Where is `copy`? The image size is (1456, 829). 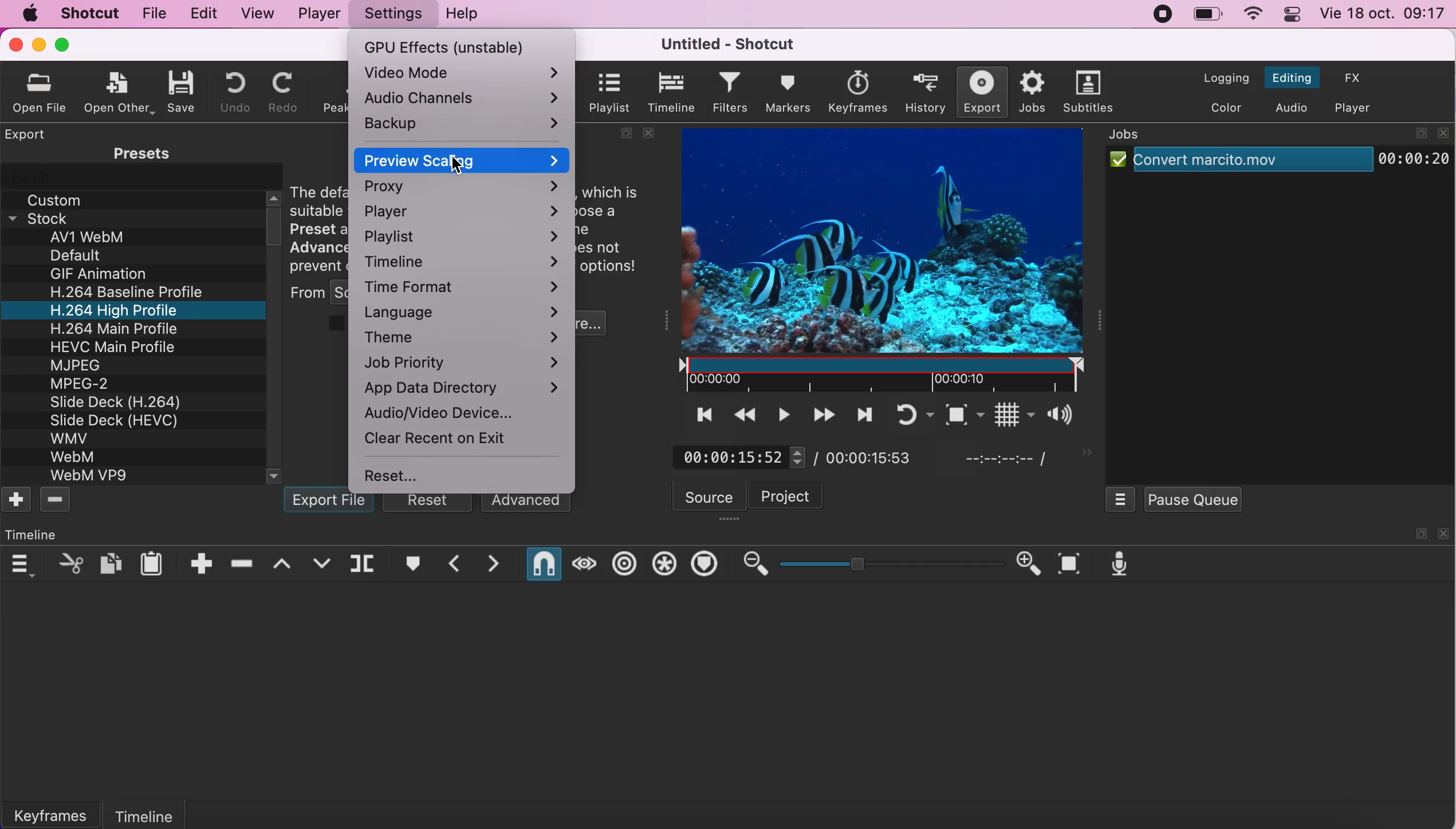
copy is located at coordinates (107, 563).